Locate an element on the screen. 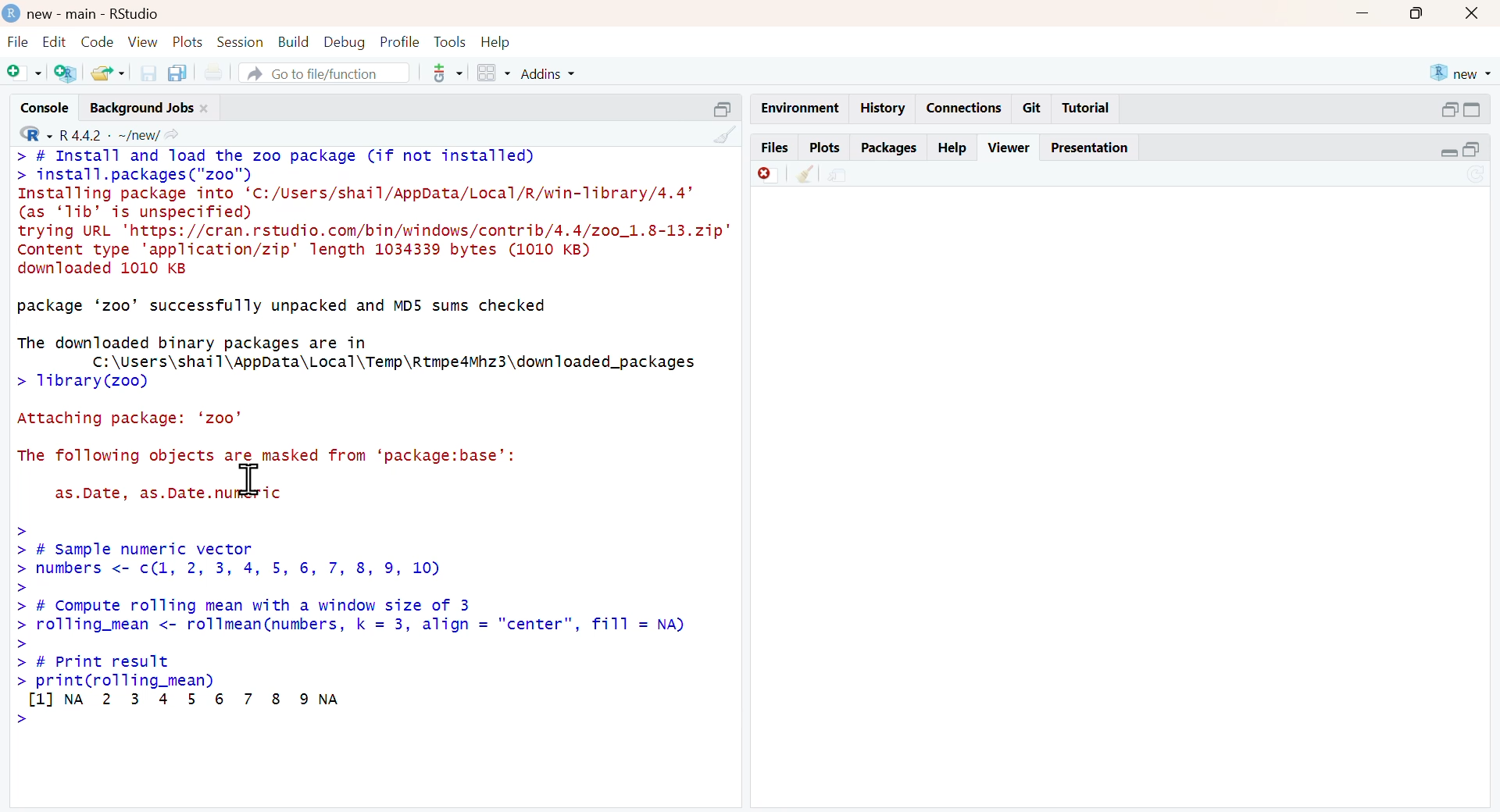 Image resolution: width=1500 pixels, height=812 pixels. help is located at coordinates (495, 42).